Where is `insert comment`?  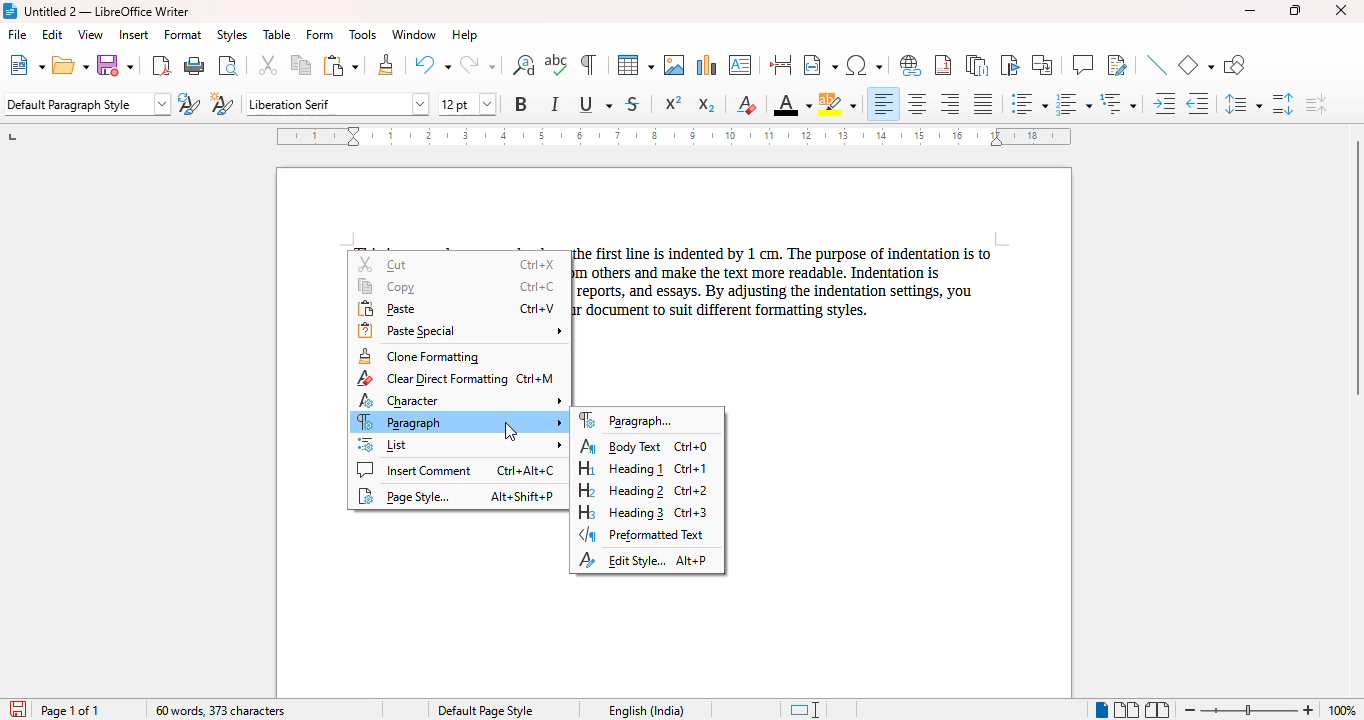
insert comment is located at coordinates (1082, 64).